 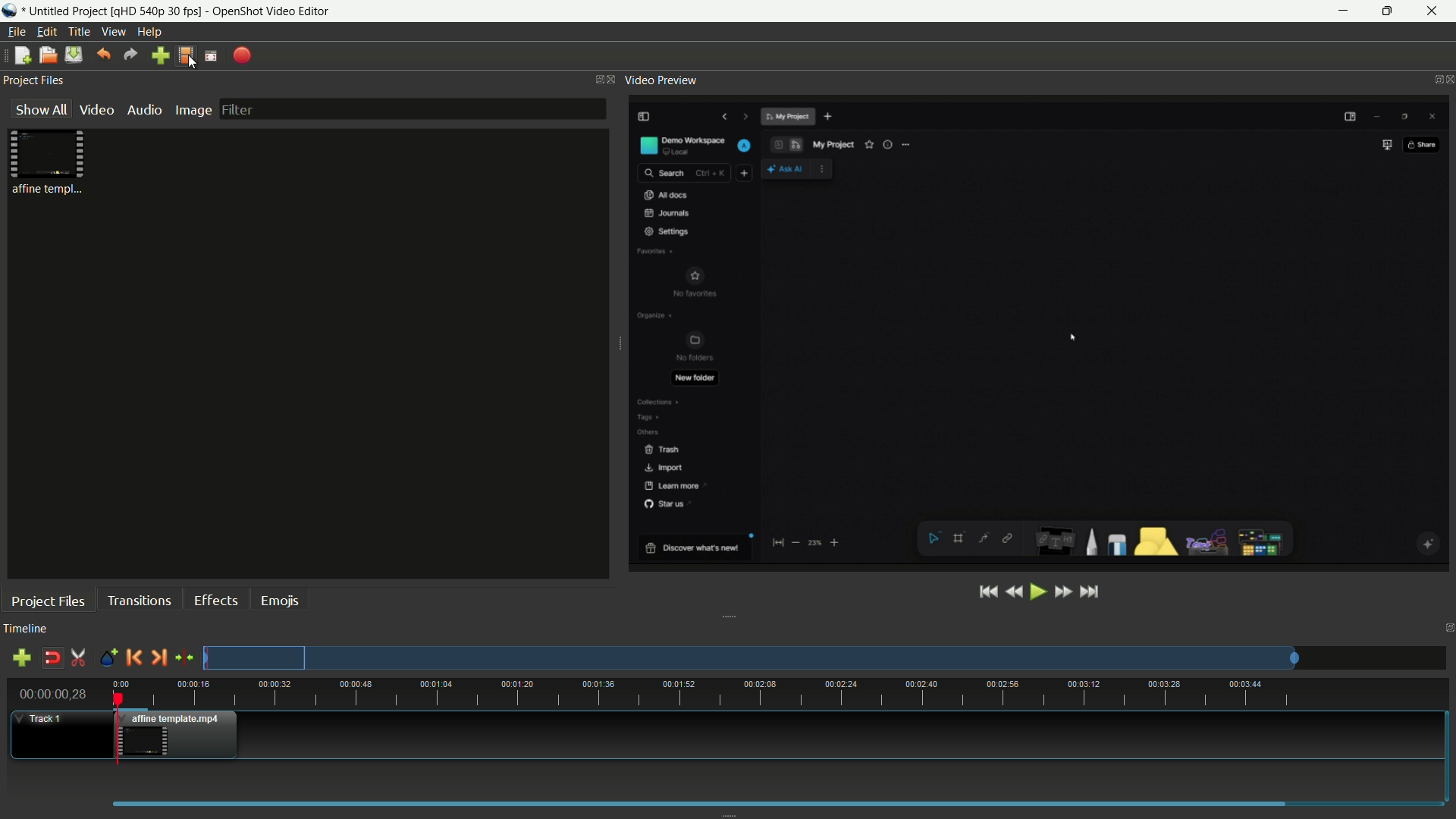 What do you see at coordinates (114, 32) in the screenshot?
I see `view menu` at bounding box center [114, 32].